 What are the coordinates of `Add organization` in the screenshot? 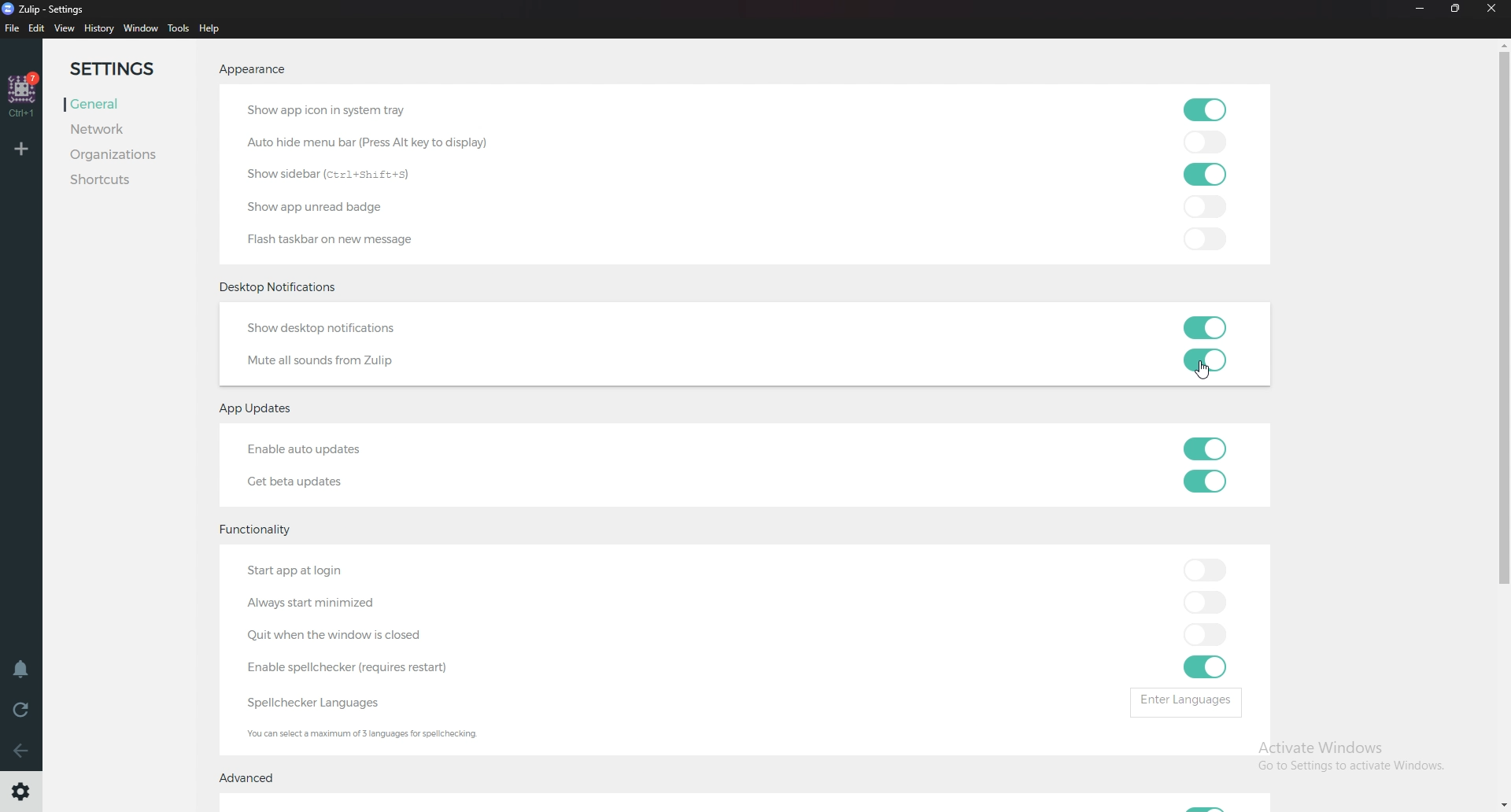 It's located at (21, 147).